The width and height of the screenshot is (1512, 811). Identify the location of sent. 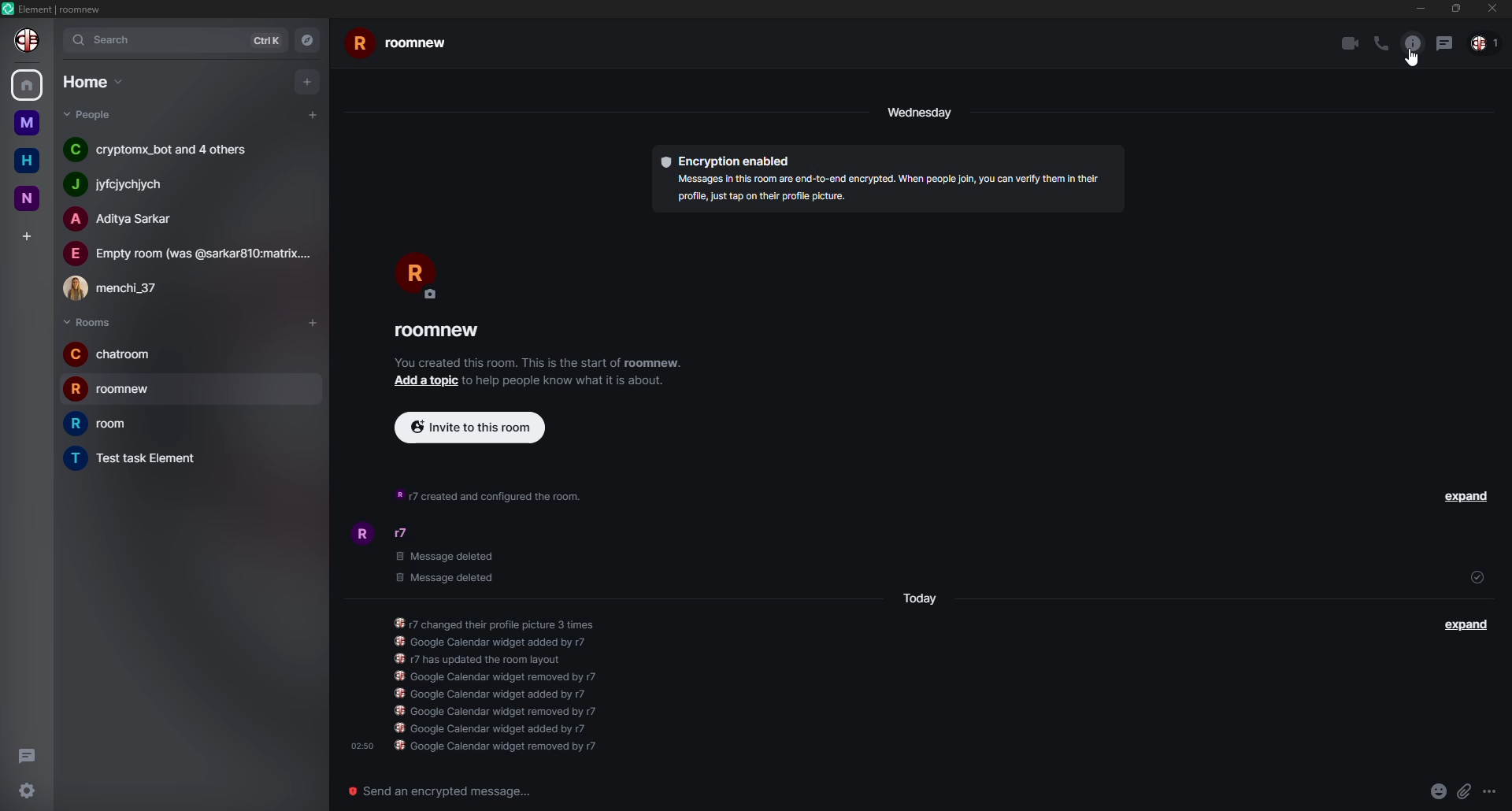
(1475, 576).